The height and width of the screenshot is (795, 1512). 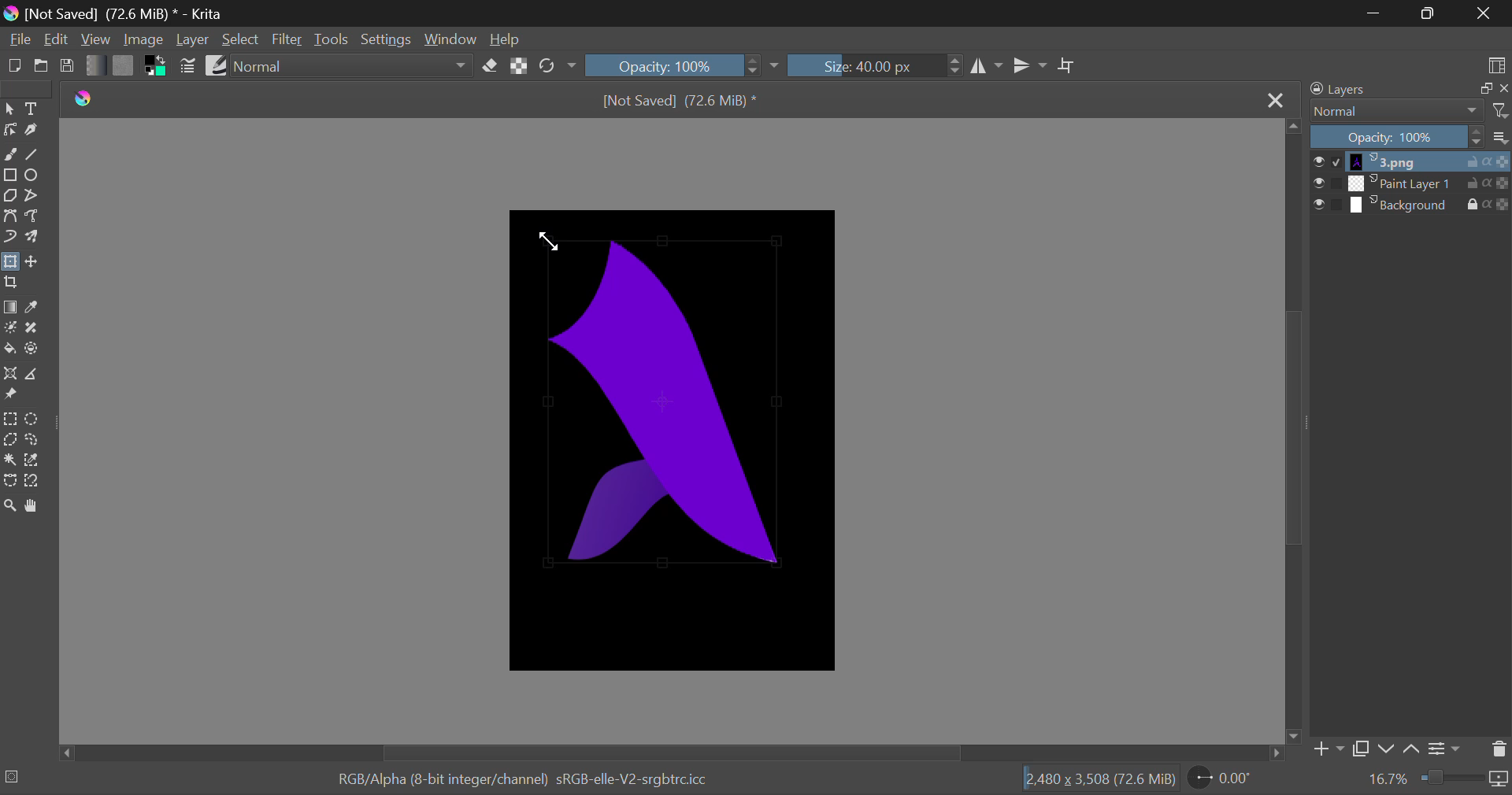 What do you see at coordinates (675, 404) in the screenshot?
I see `Image Selection Edited` at bounding box center [675, 404].